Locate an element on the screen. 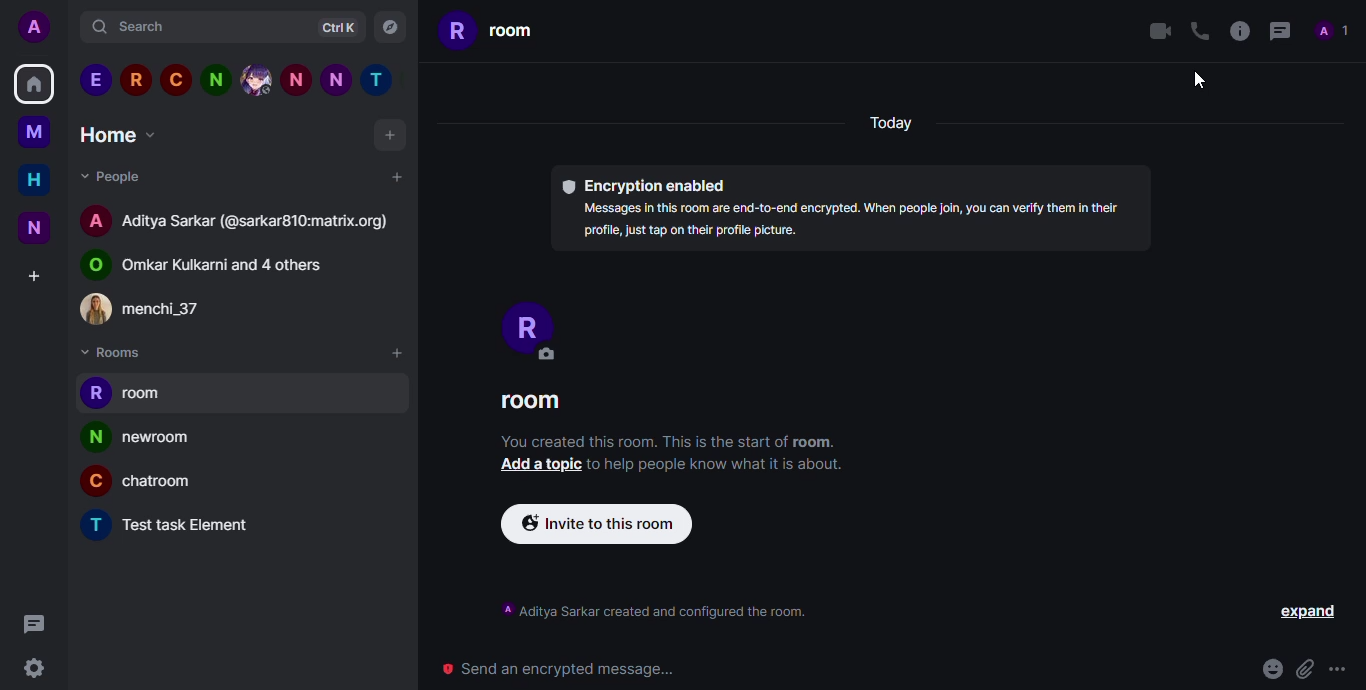 This screenshot has width=1366, height=690. rooms dropdown is located at coordinates (126, 352).